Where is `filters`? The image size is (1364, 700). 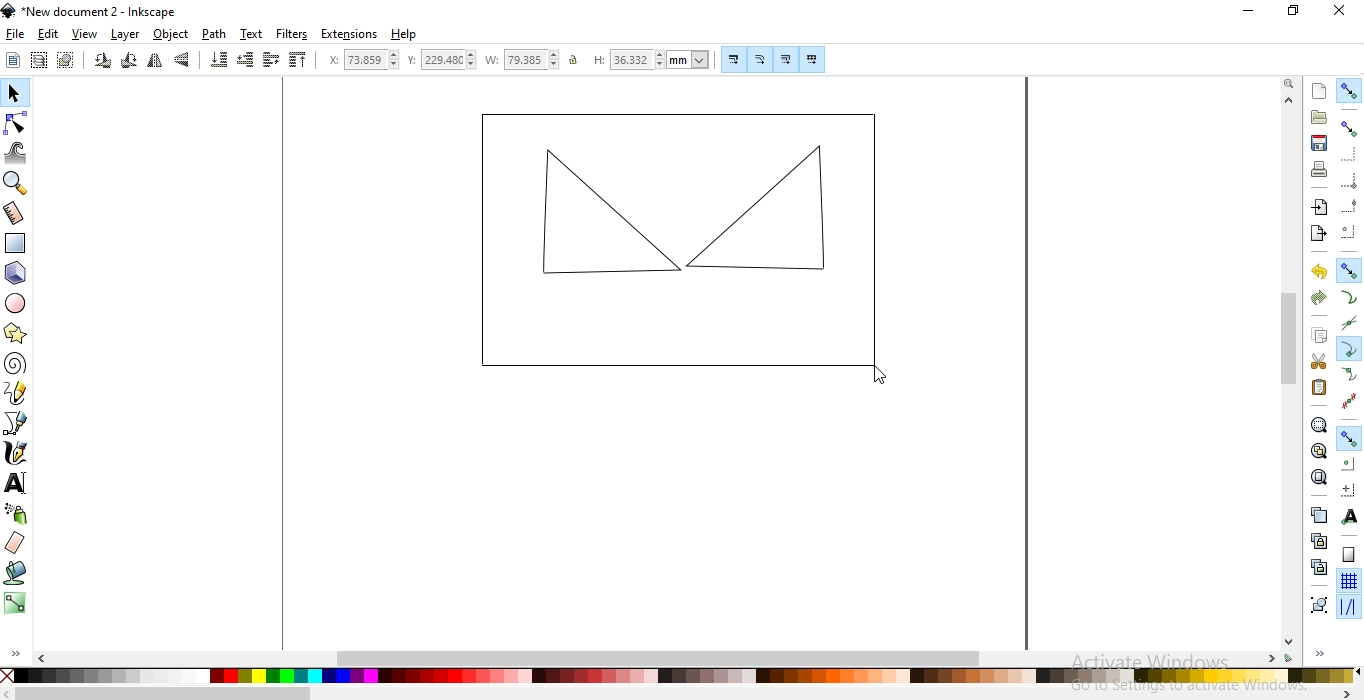 filters is located at coordinates (292, 34).